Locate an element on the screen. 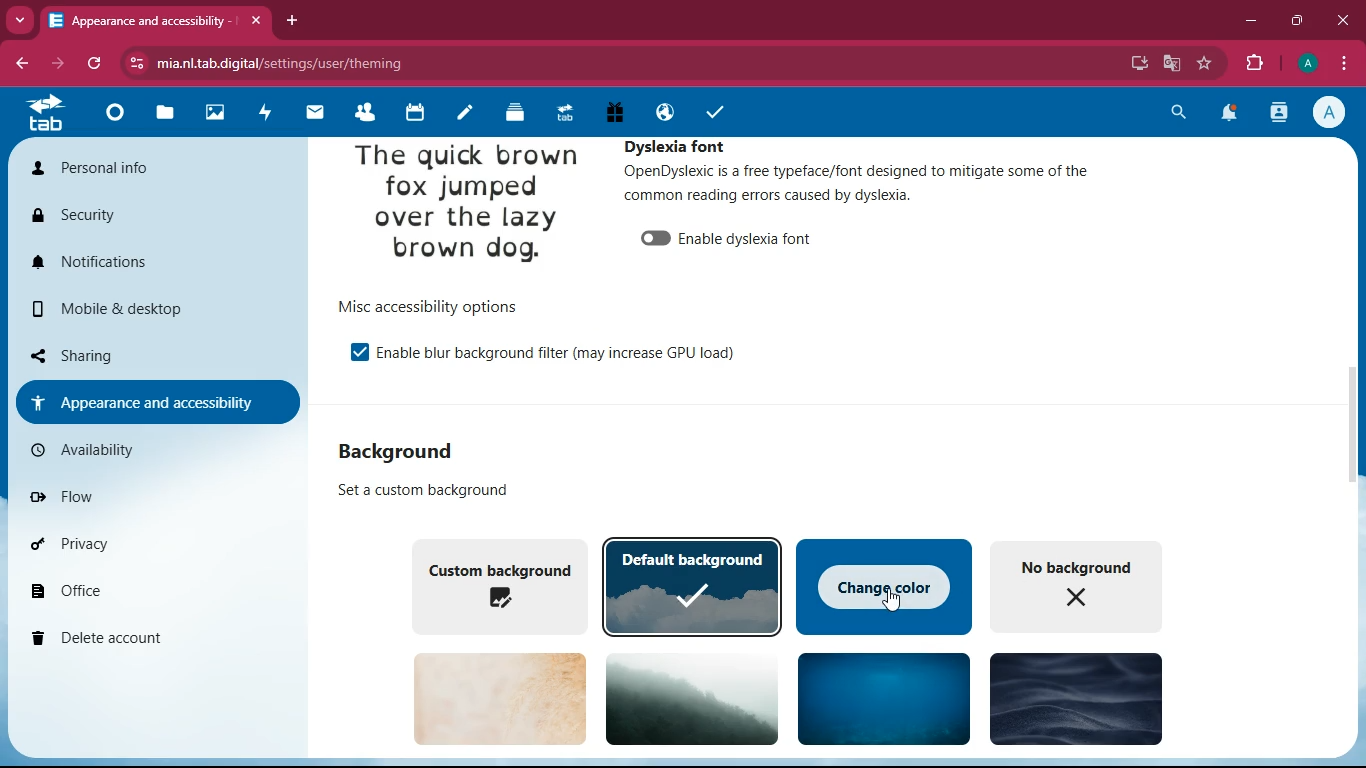 The image size is (1366, 768). set a custom background is located at coordinates (432, 491).